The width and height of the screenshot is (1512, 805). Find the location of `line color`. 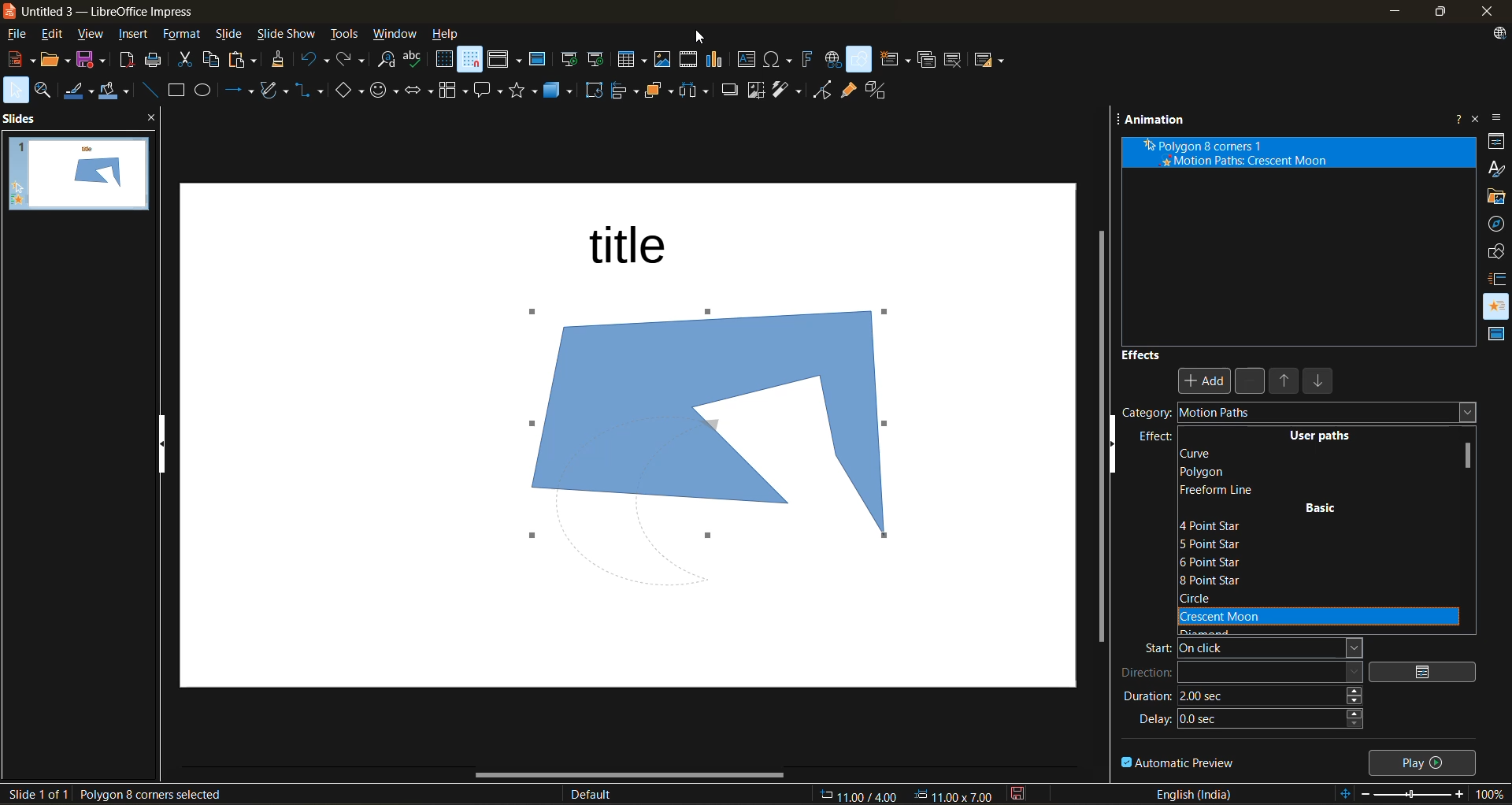

line color is located at coordinates (80, 91).